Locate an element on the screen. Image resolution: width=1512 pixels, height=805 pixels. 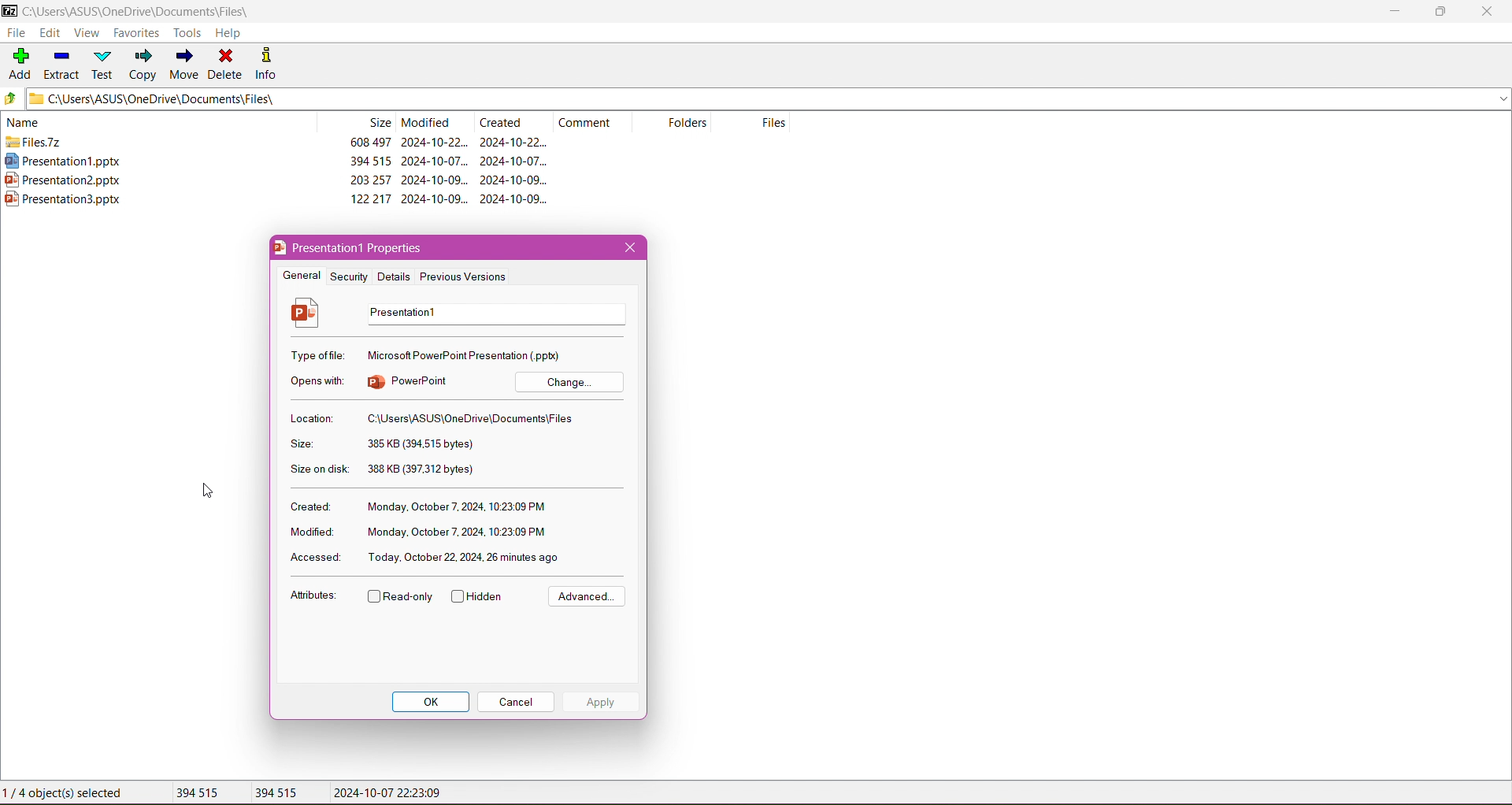
394 515 is located at coordinates (276, 793).